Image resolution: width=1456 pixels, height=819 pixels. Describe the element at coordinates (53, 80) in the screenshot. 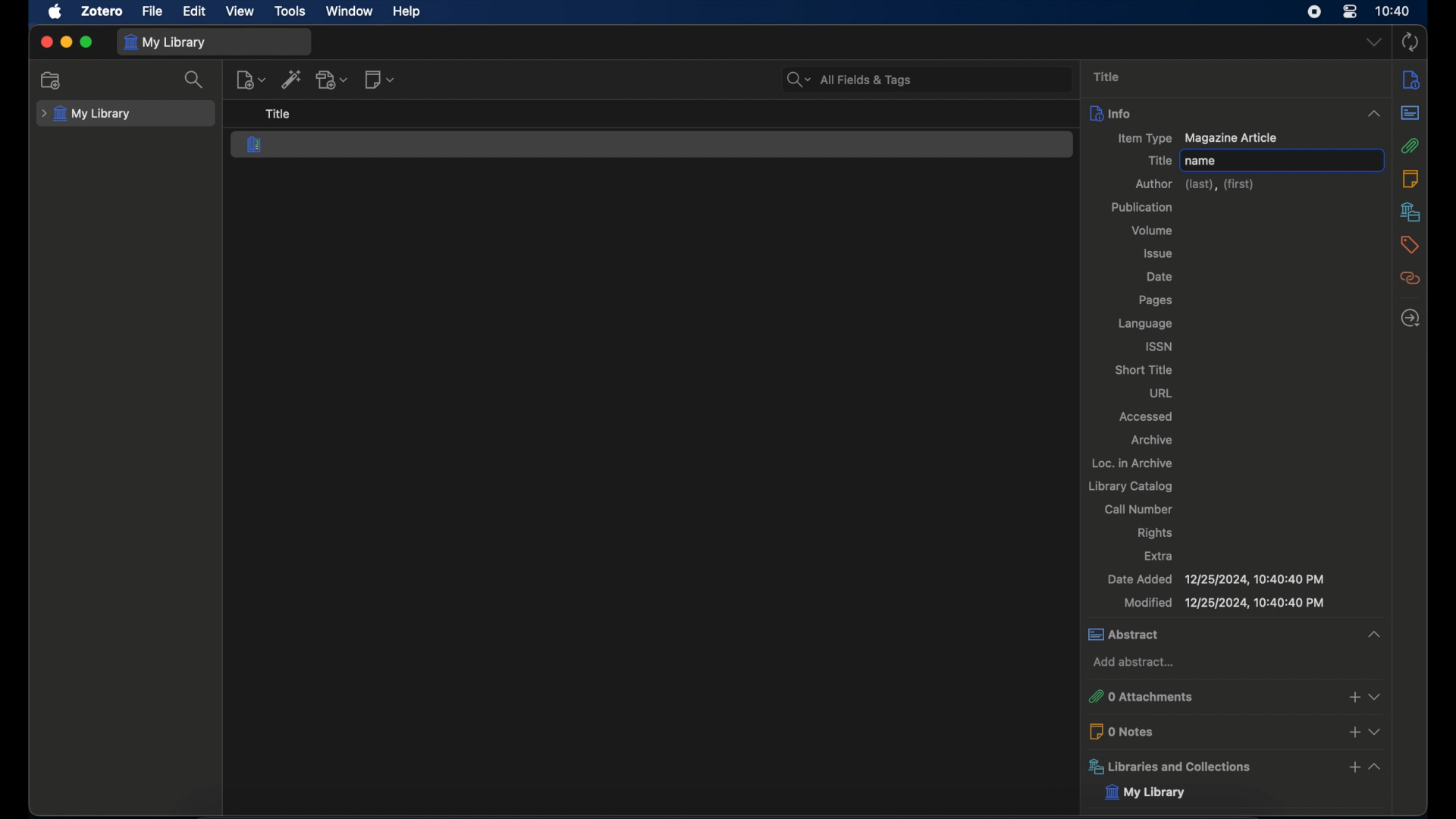

I see `new collection` at that location.